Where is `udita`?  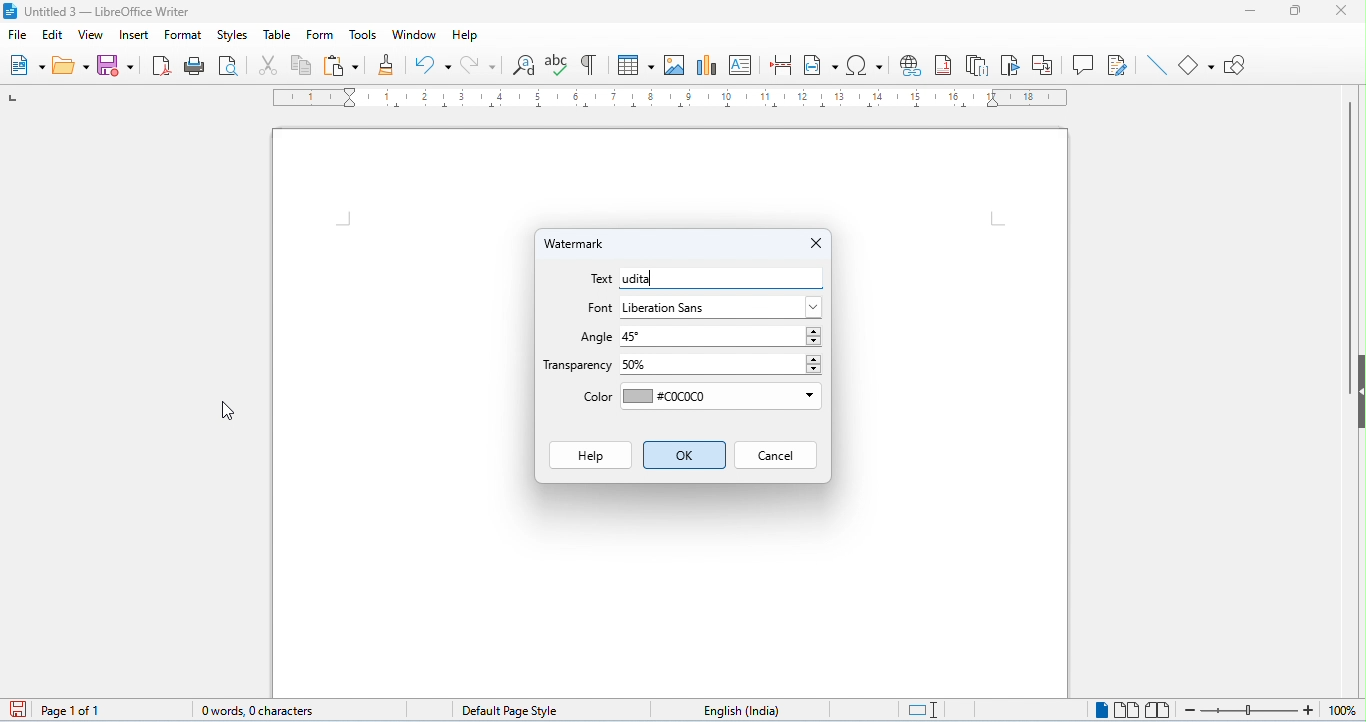
udita is located at coordinates (721, 277).